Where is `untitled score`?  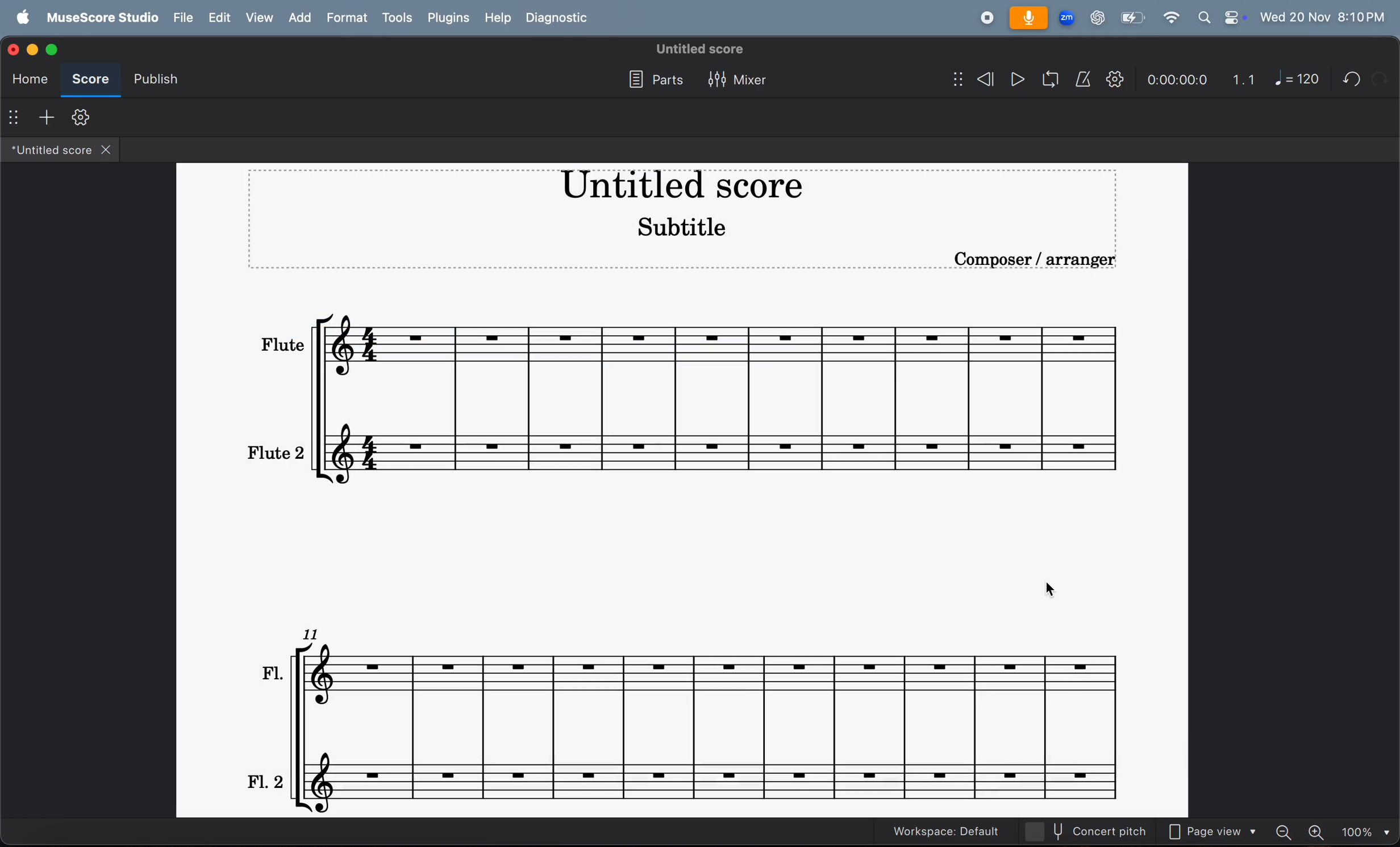 untitled score is located at coordinates (698, 47).